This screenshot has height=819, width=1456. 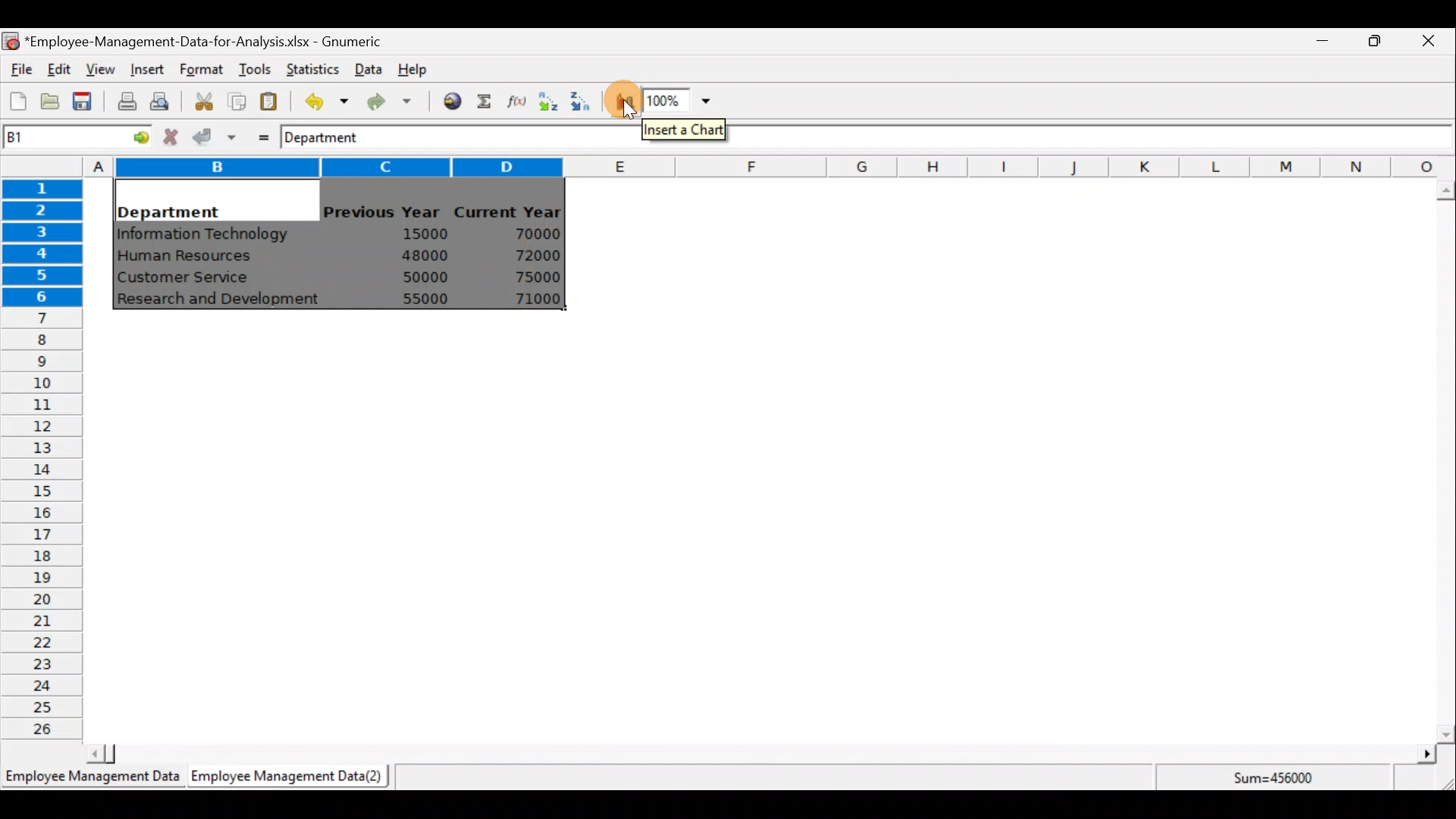 What do you see at coordinates (621, 103) in the screenshot?
I see `Insert a chart` at bounding box center [621, 103].